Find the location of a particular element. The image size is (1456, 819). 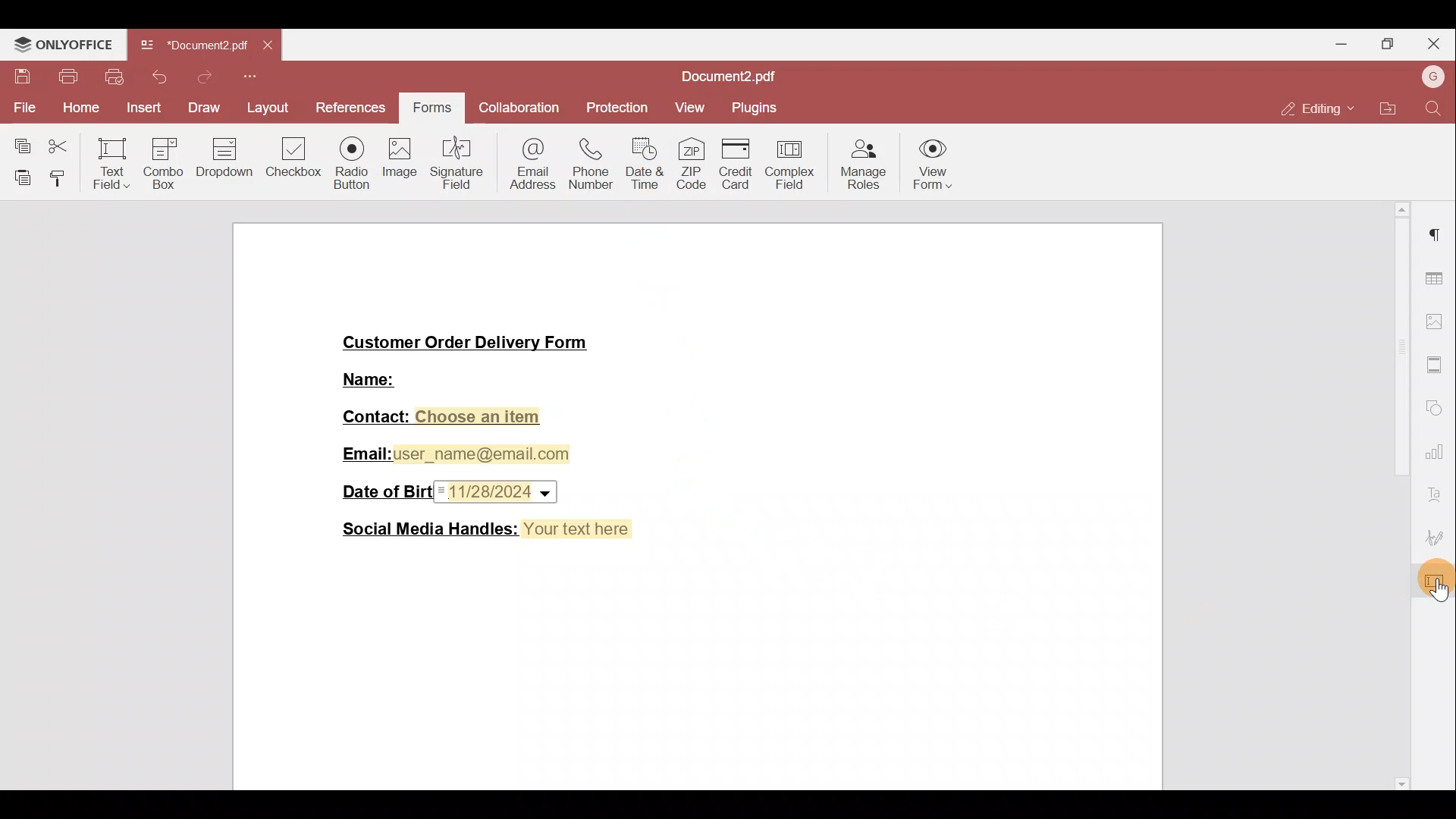

Print file is located at coordinates (63, 77).